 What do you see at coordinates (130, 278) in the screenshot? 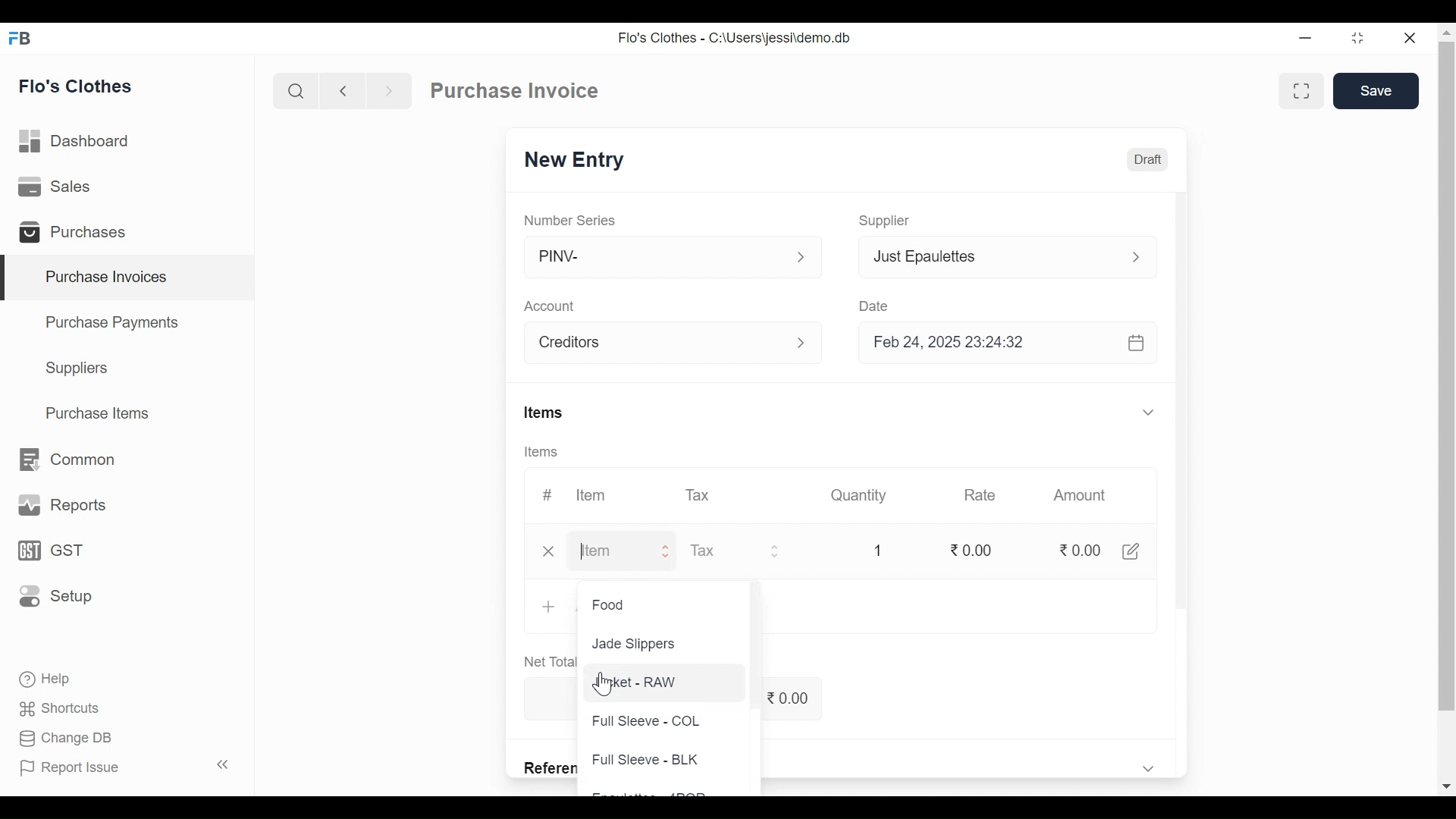
I see `Purchase Invoices` at bounding box center [130, 278].